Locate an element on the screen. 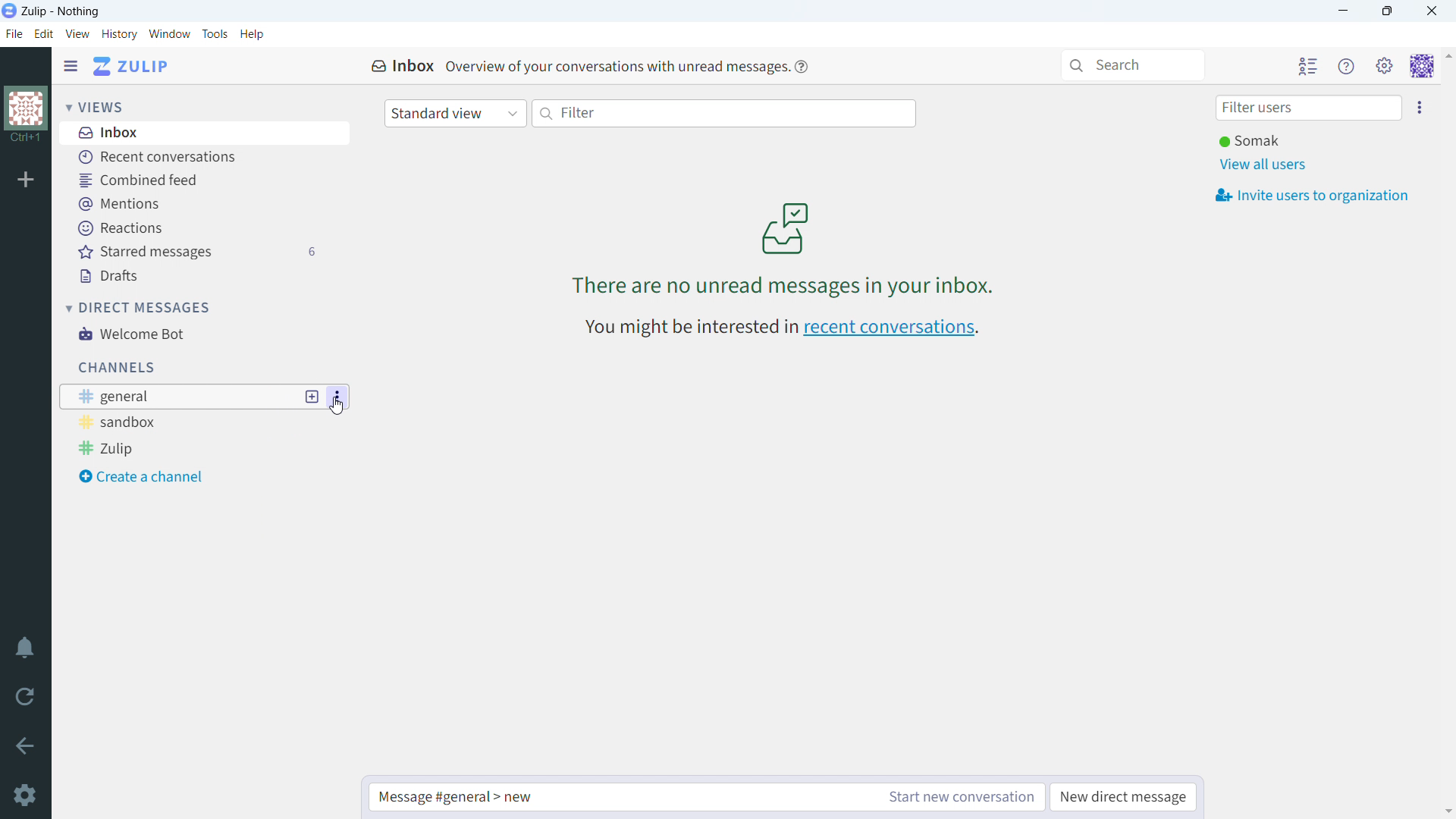 This screenshot has width=1456, height=819. history is located at coordinates (118, 34).